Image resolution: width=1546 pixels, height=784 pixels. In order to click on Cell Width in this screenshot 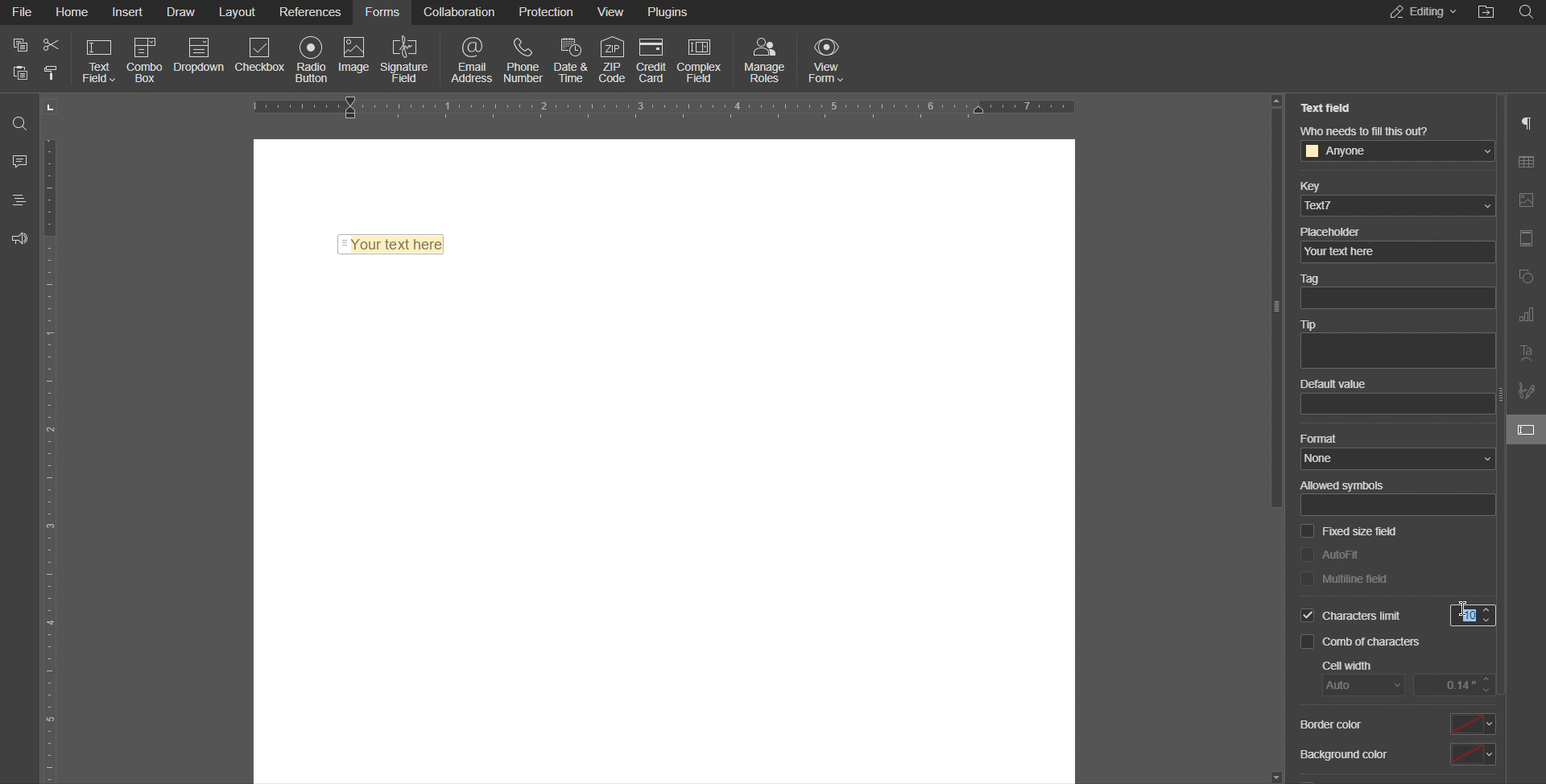, I will do `click(1411, 678)`.